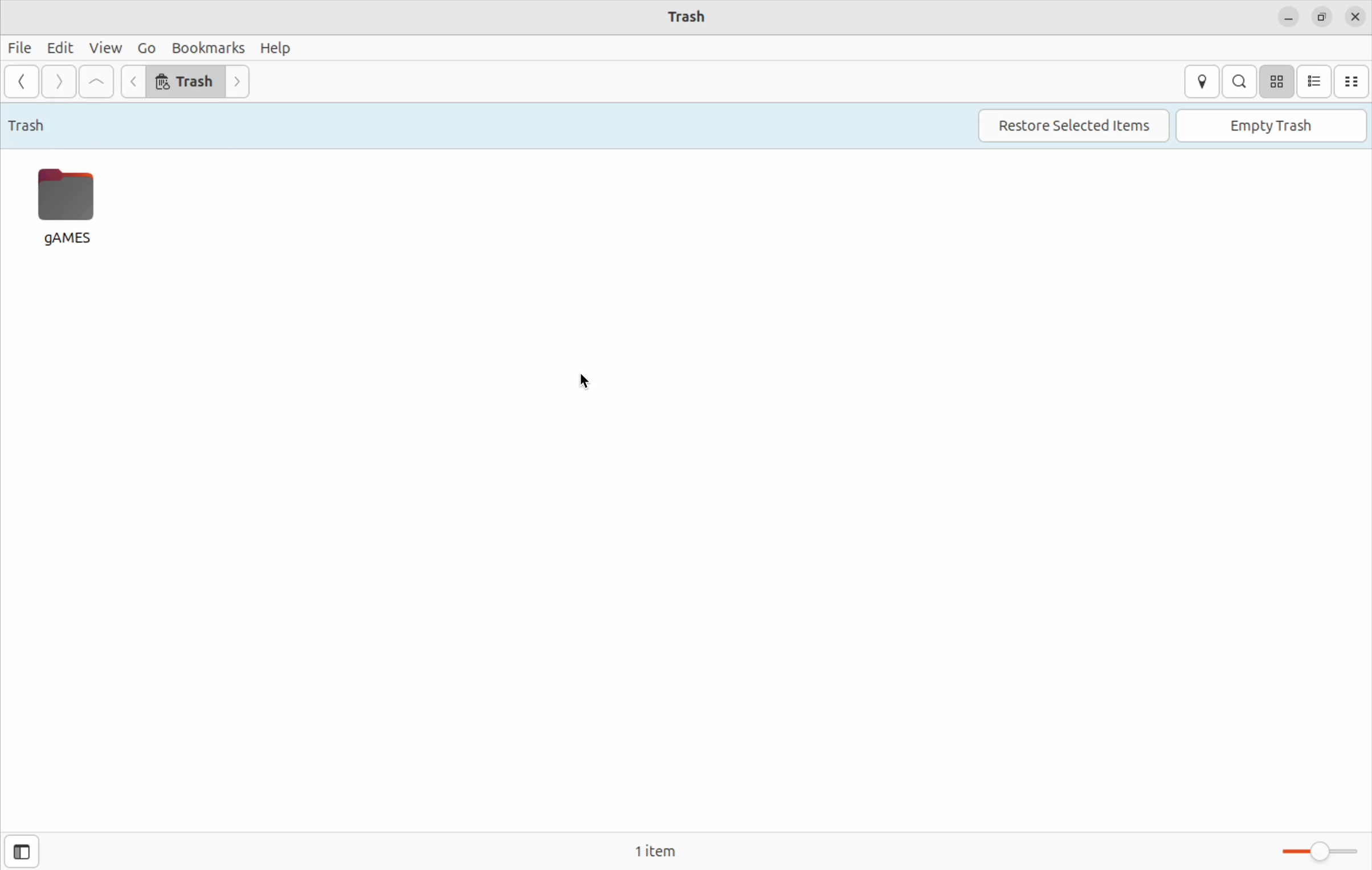 The height and width of the screenshot is (870, 1372). I want to click on trash, so click(186, 81).